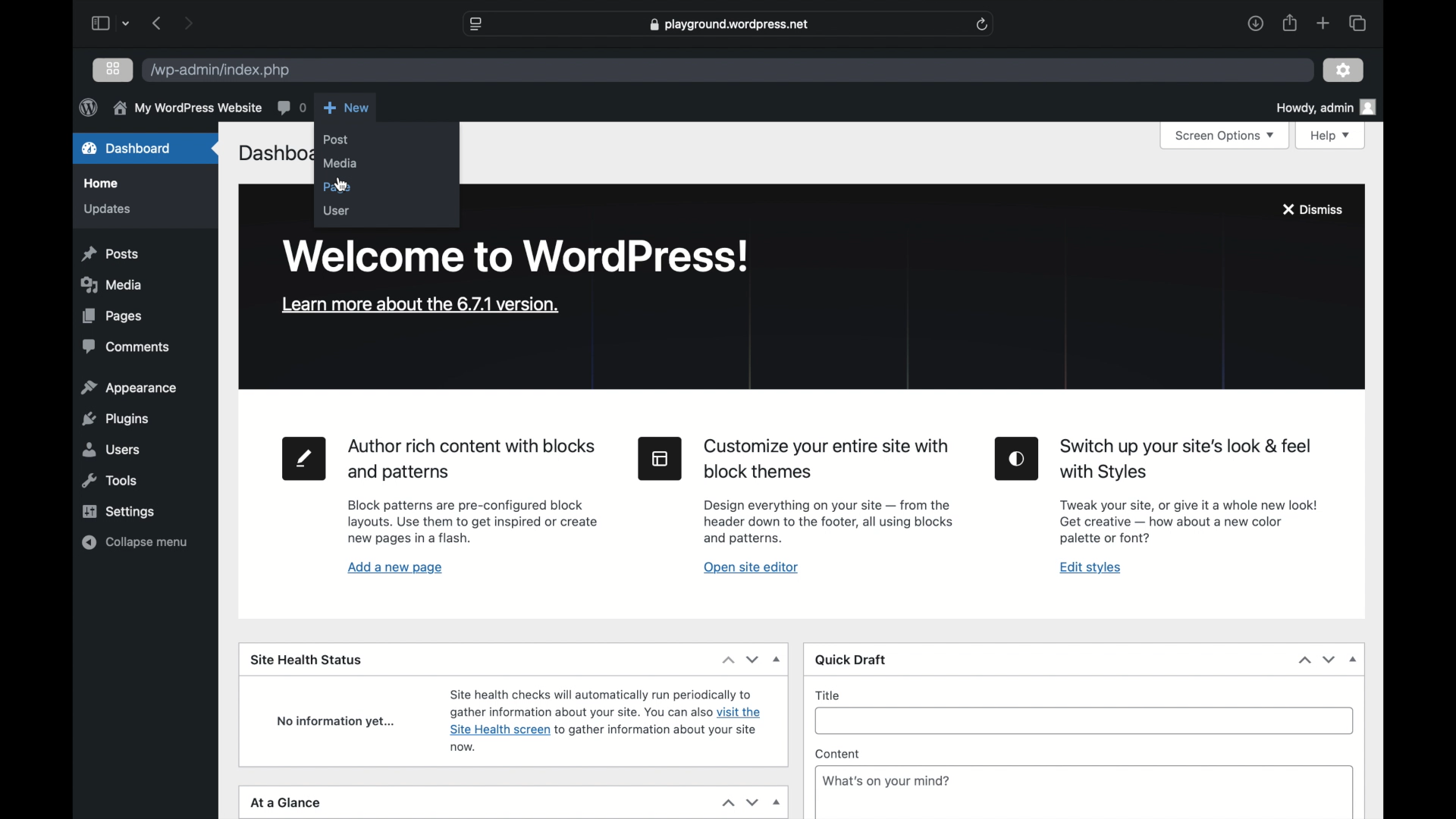  Describe the element at coordinates (1312, 209) in the screenshot. I see `dismiss` at that location.